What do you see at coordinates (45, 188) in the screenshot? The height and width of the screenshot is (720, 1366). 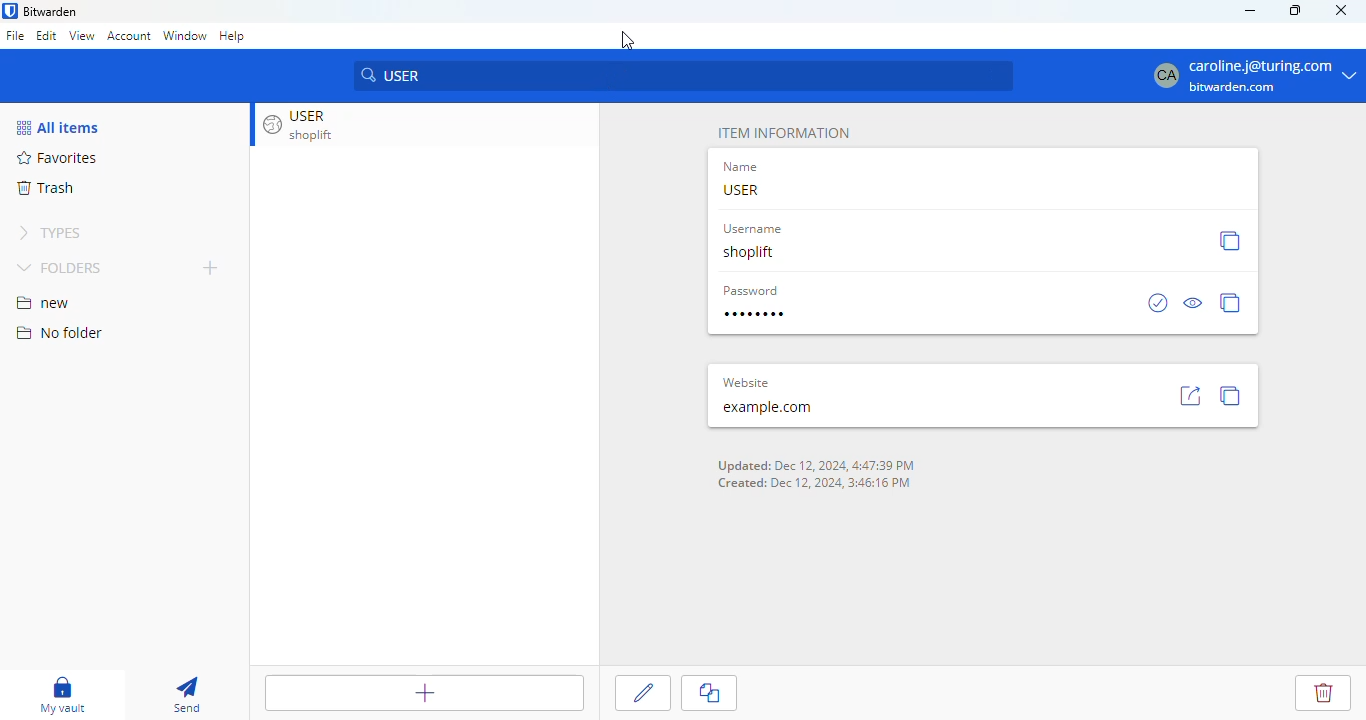 I see `trash` at bounding box center [45, 188].